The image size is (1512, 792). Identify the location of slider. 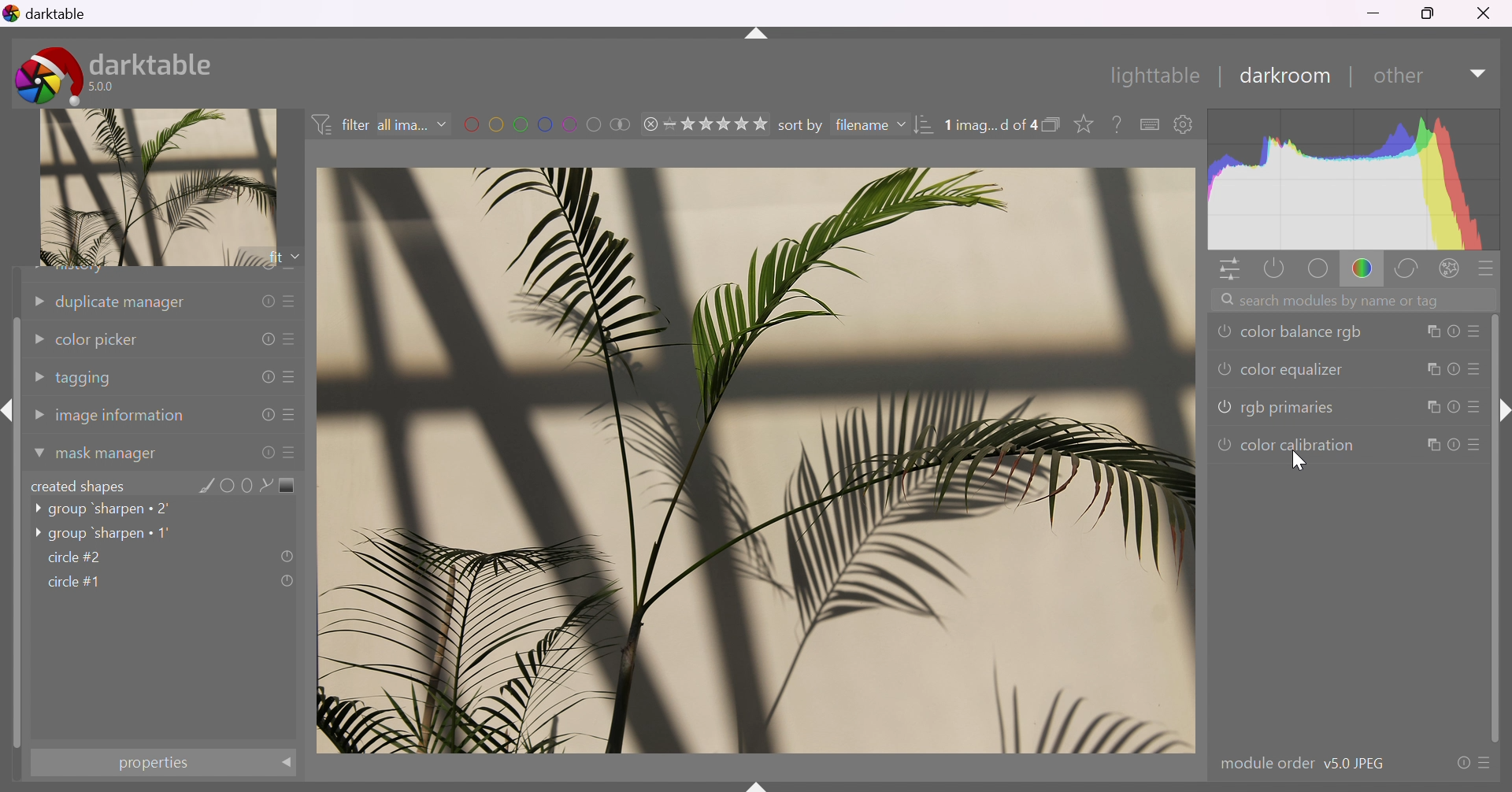
(1499, 530).